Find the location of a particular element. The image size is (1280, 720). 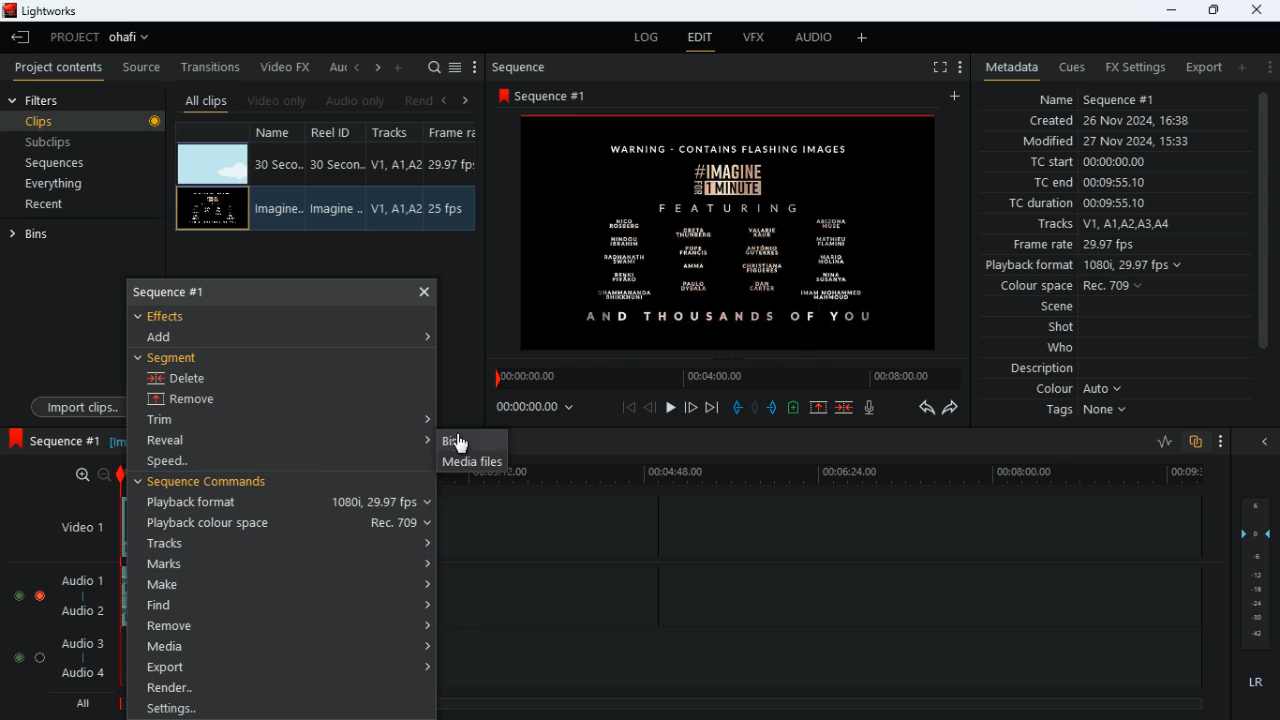

created is located at coordinates (1119, 122).